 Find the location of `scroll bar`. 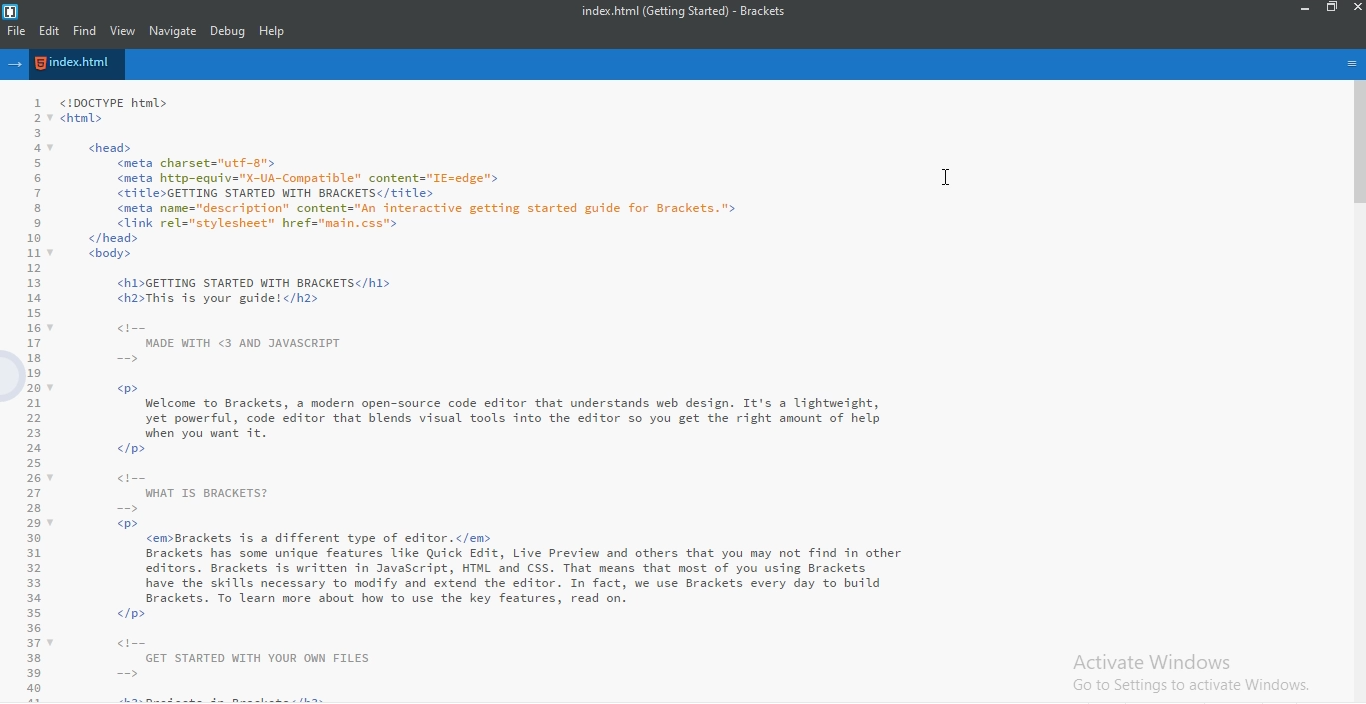

scroll bar is located at coordinates (1357, 147).